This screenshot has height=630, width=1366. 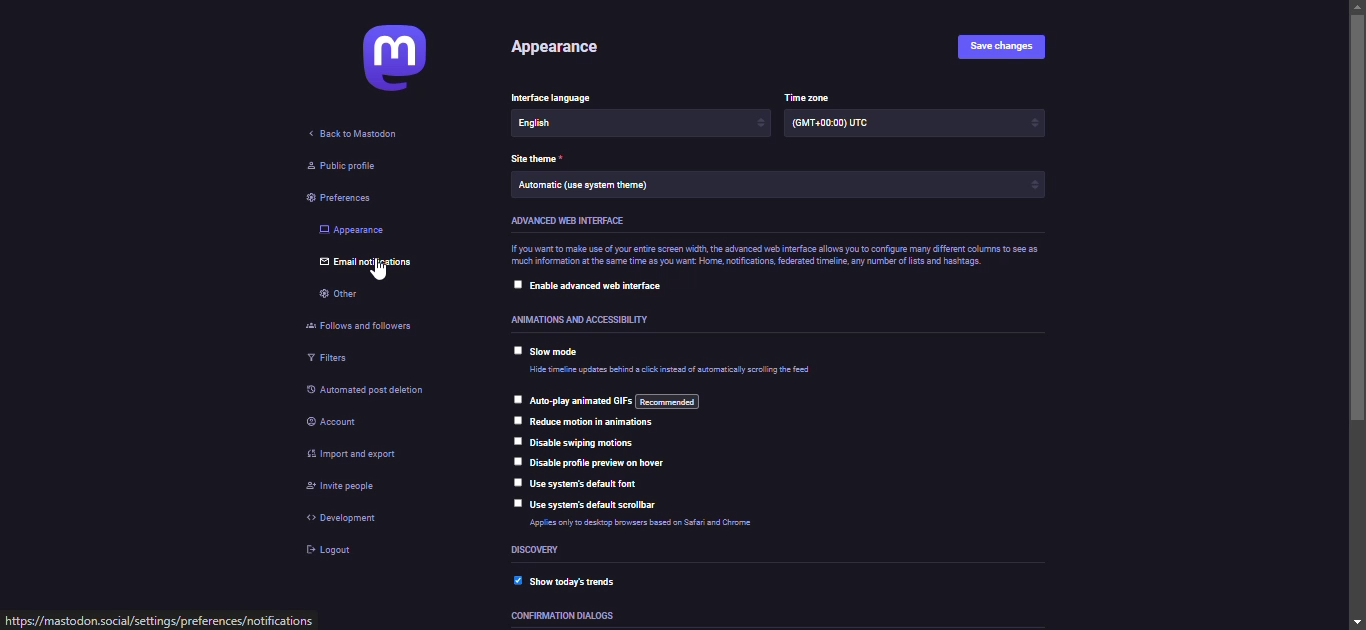 I want to click on back to mastodon, so click(x=362, y=132).